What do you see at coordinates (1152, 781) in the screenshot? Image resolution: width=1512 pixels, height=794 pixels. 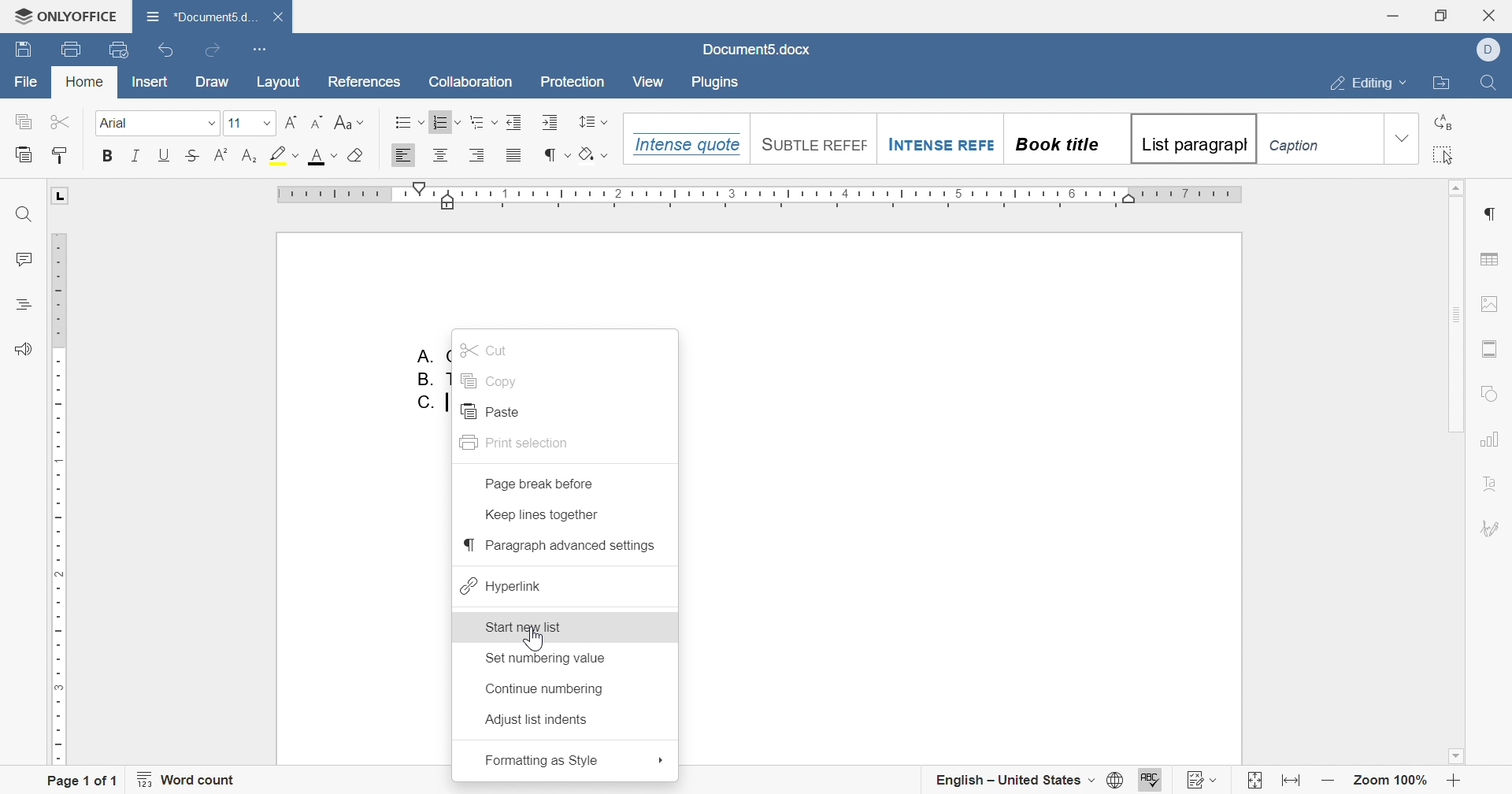 I see `spell checking` at bounding box center [1152, 781].